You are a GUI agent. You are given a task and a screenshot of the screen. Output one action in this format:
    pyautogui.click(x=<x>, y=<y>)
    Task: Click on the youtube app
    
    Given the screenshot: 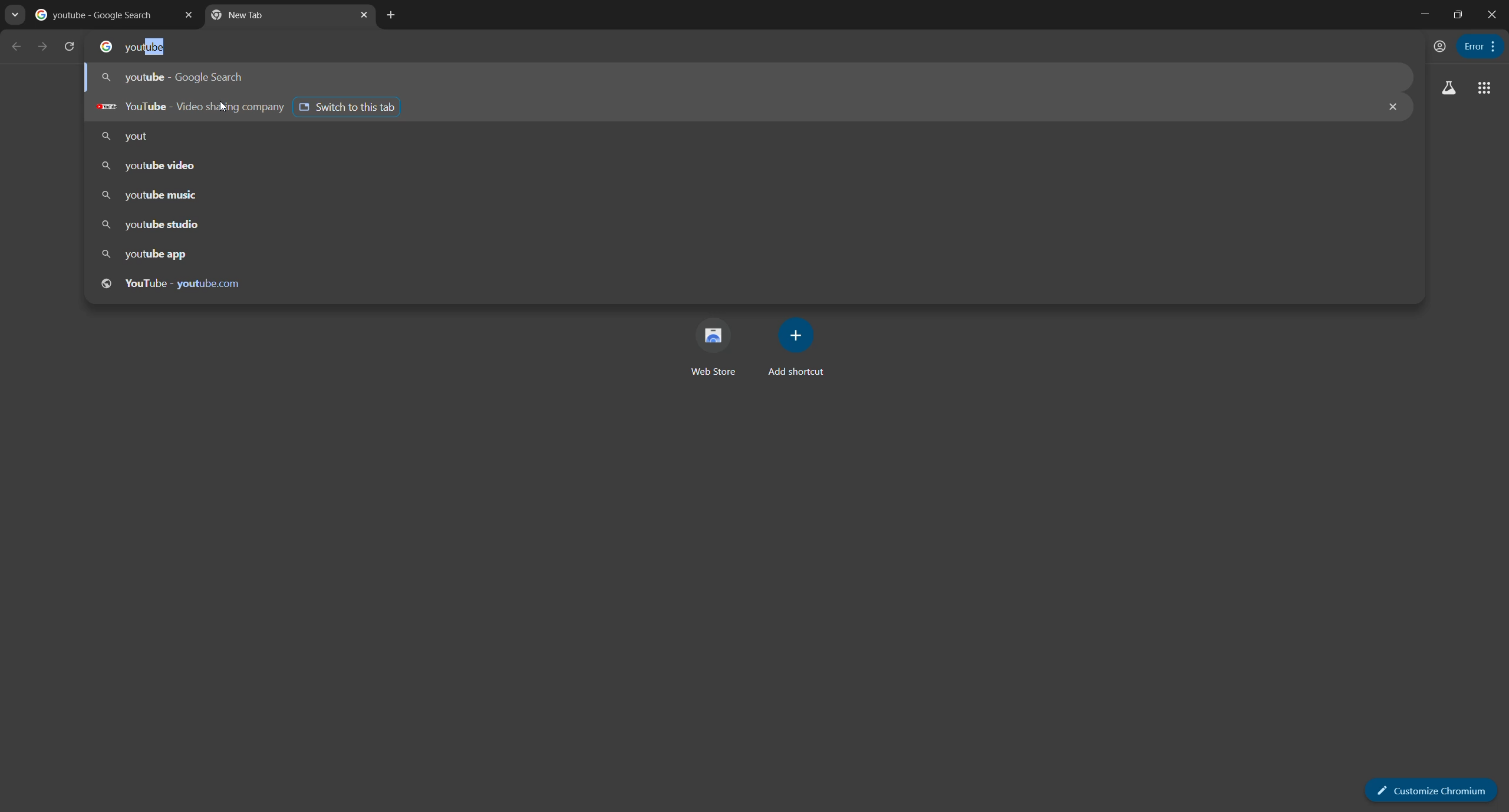 What is the action you would take?
    pyautogui.click(x=144, y=255)
    